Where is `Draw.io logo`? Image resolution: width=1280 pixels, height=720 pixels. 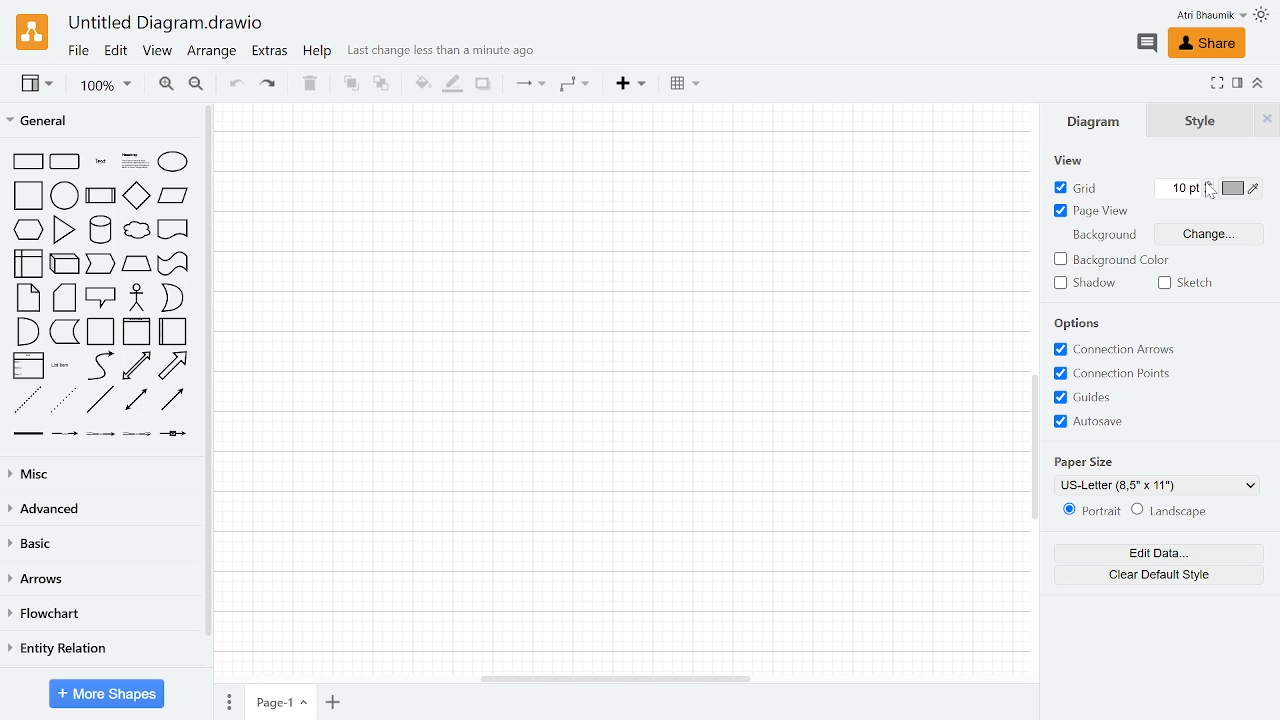
Draw.io logo is located at coordinates (30, 31).